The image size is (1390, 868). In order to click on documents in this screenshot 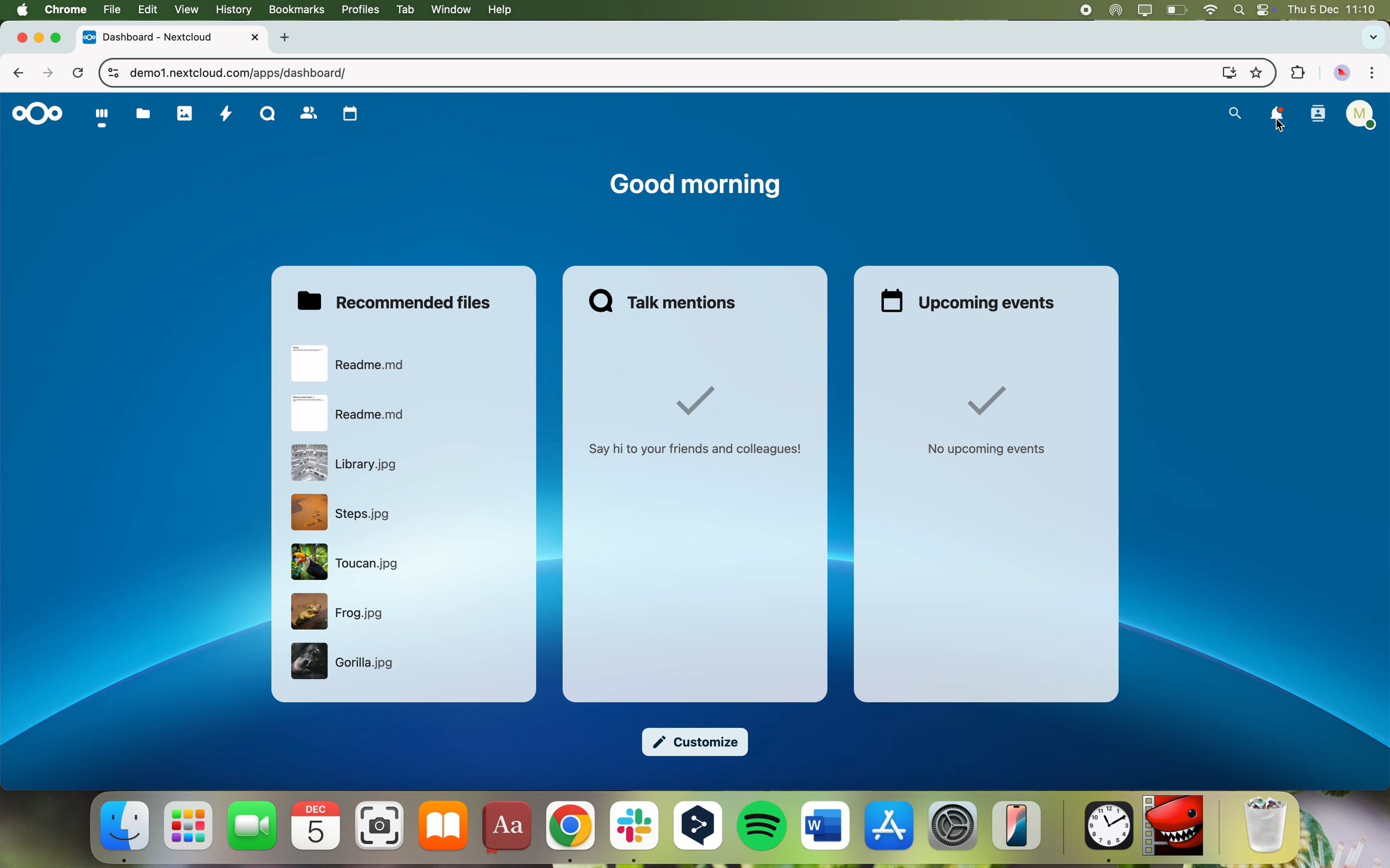, I will do `click(142, 114)`.